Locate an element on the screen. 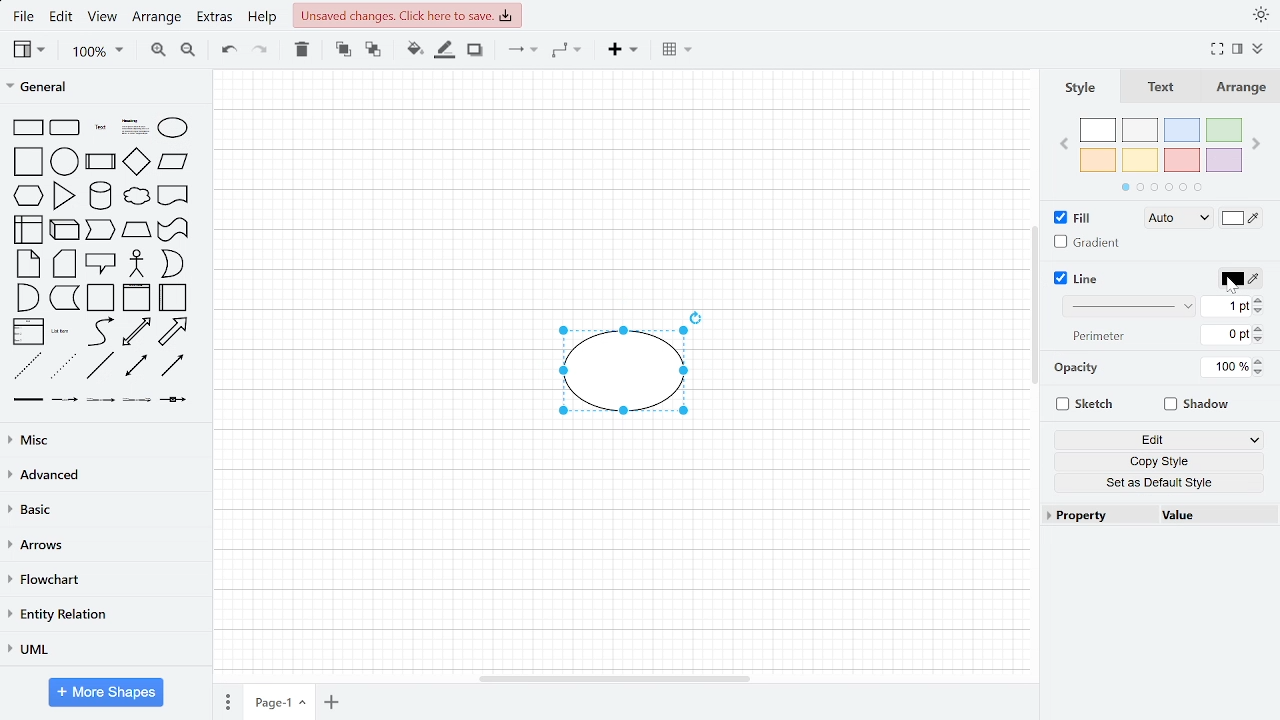  pages in color is located at coordinates (1162, 188).